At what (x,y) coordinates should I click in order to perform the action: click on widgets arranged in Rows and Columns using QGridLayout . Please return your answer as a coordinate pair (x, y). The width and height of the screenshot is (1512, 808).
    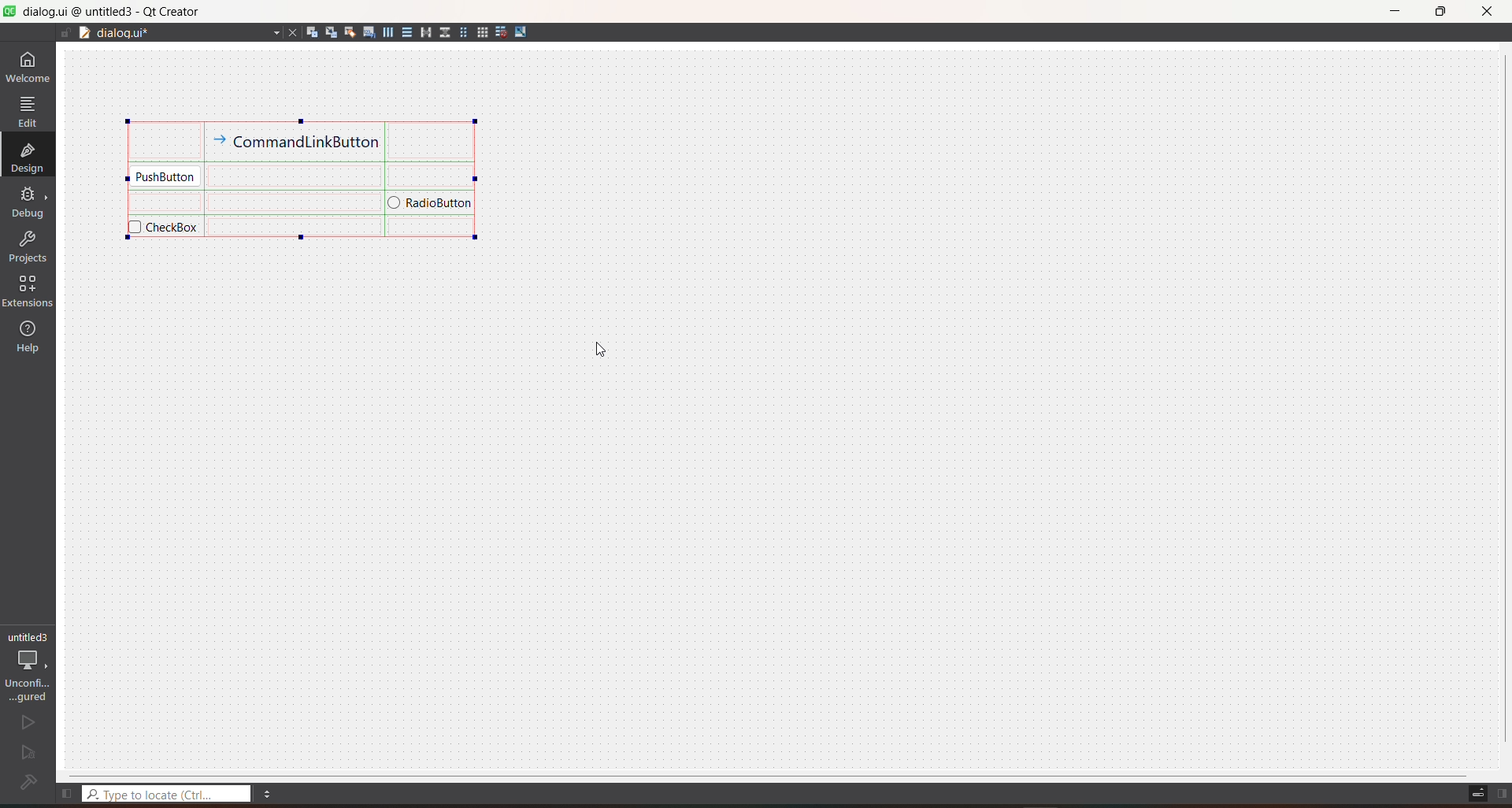
    Looking at the image, I should click on (303, 178).